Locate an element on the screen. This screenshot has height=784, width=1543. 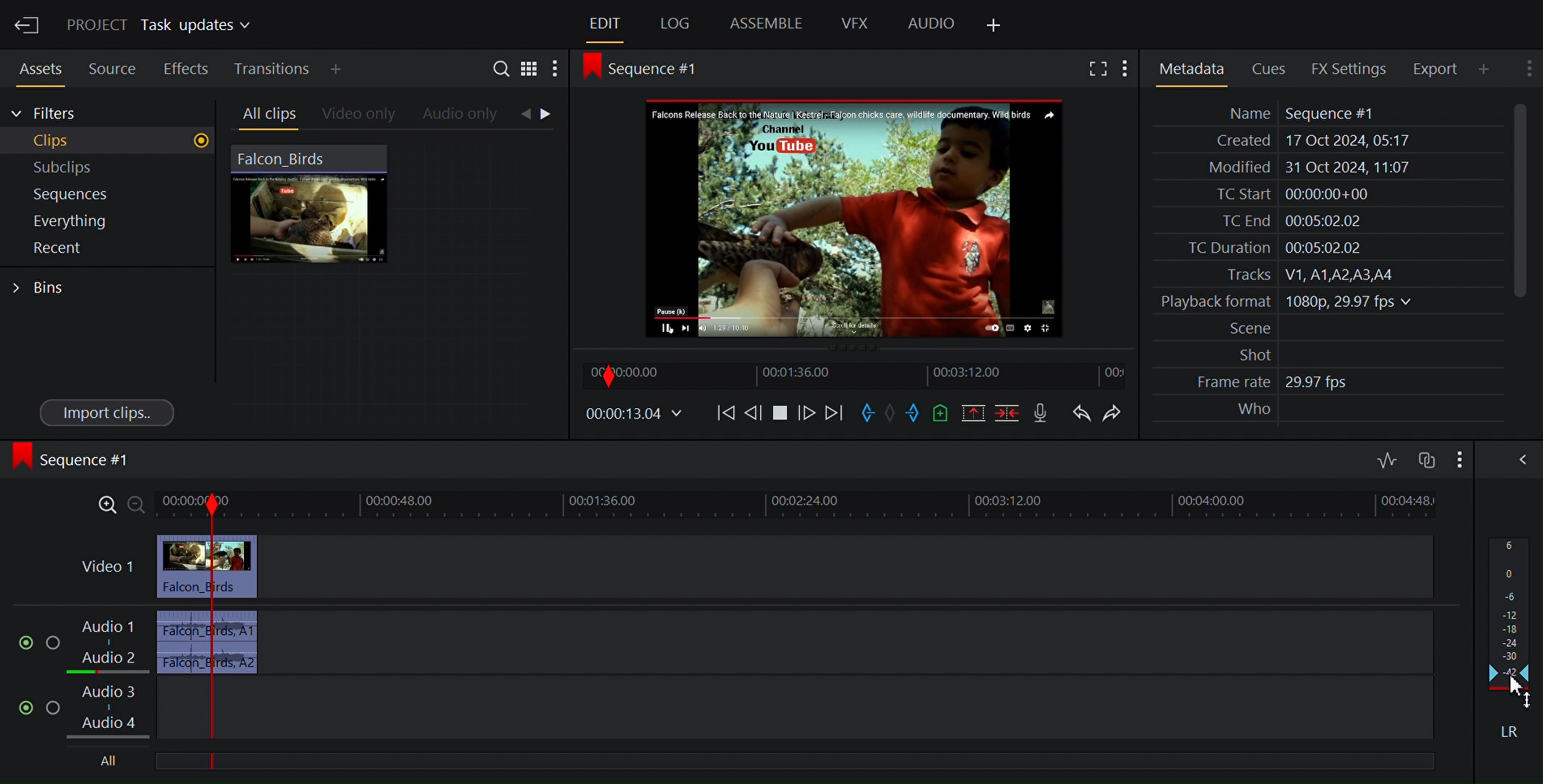
Videos only is located at coordinates (358, 114).